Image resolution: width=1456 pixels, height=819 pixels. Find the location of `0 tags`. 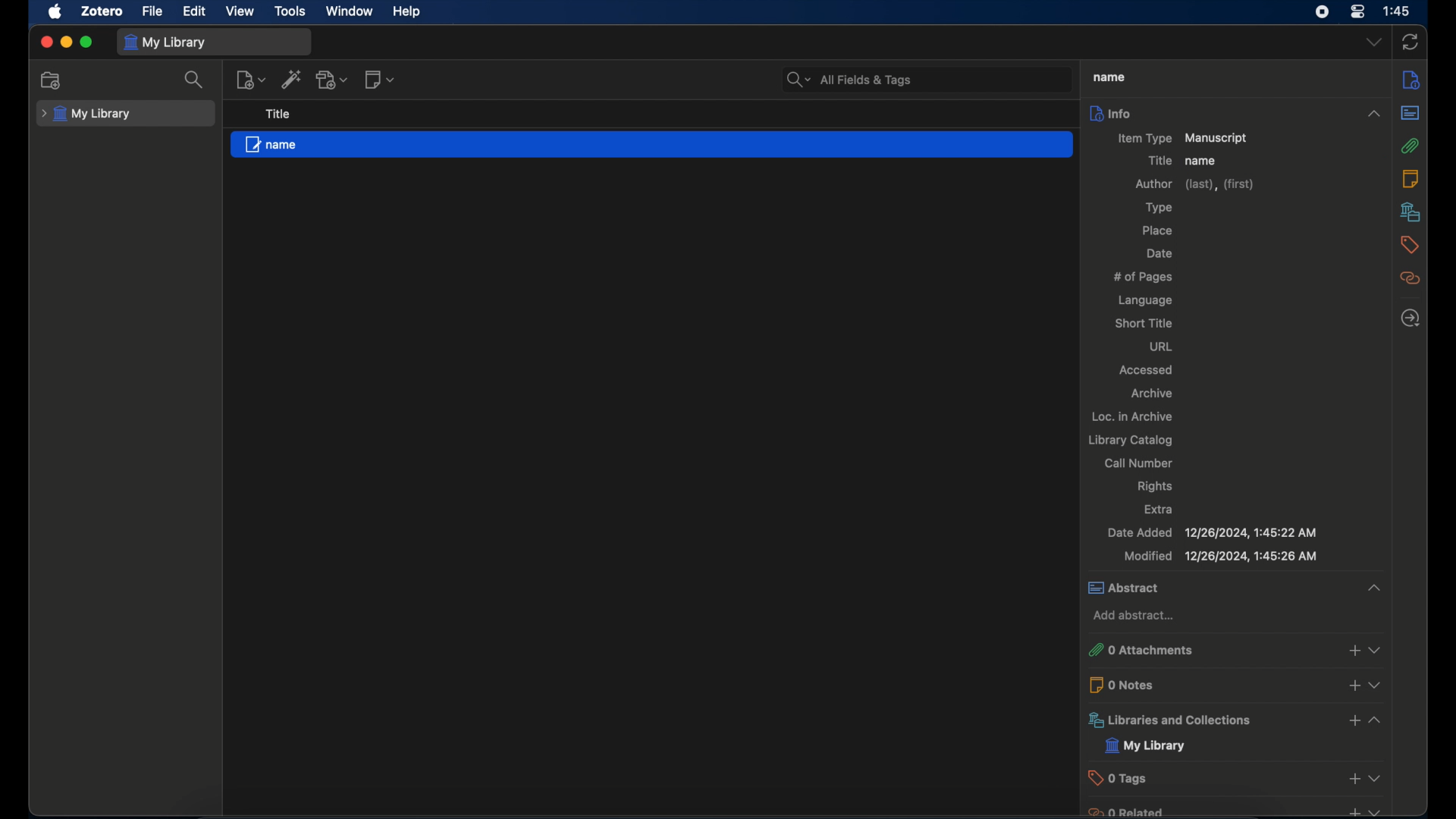

0 tags is located at coordinates (1236, 777).